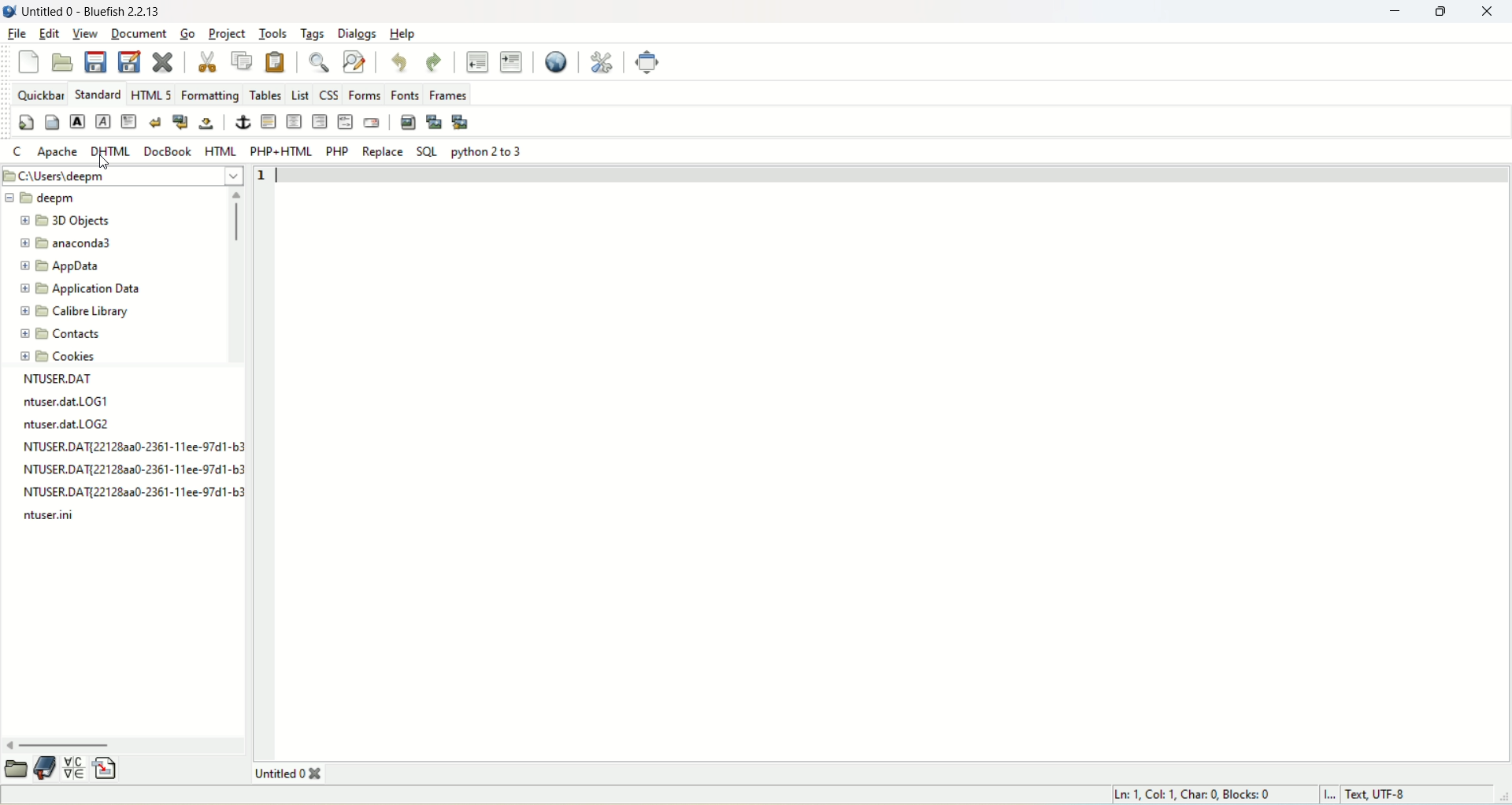 The image size is (1512, 805). What do you see at coordinates (41, 95) in the screenshot?
I see `quickbar` at bounding box center [41, 95].